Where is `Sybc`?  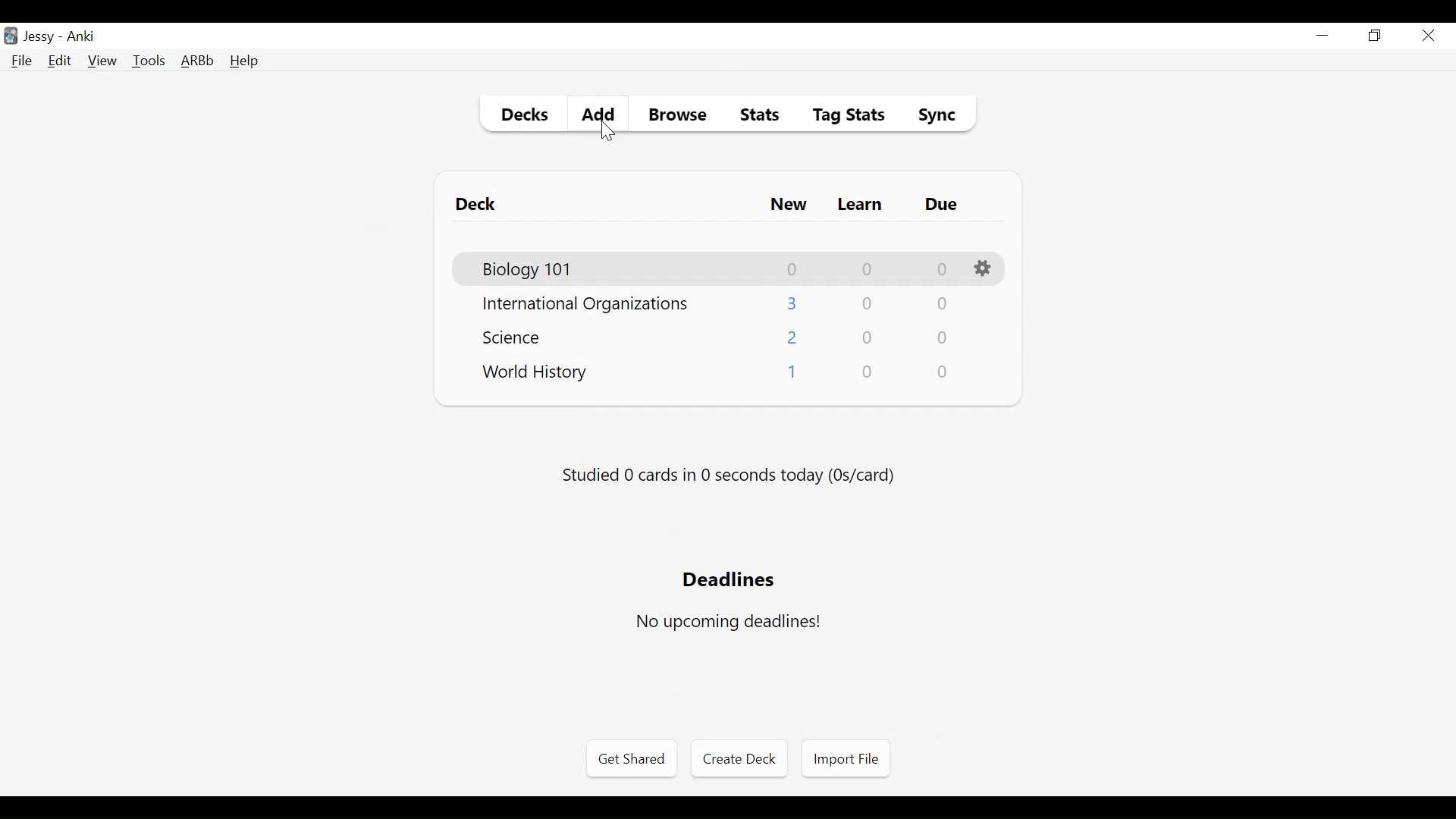
Sybc is located at coordinates (931, 117).